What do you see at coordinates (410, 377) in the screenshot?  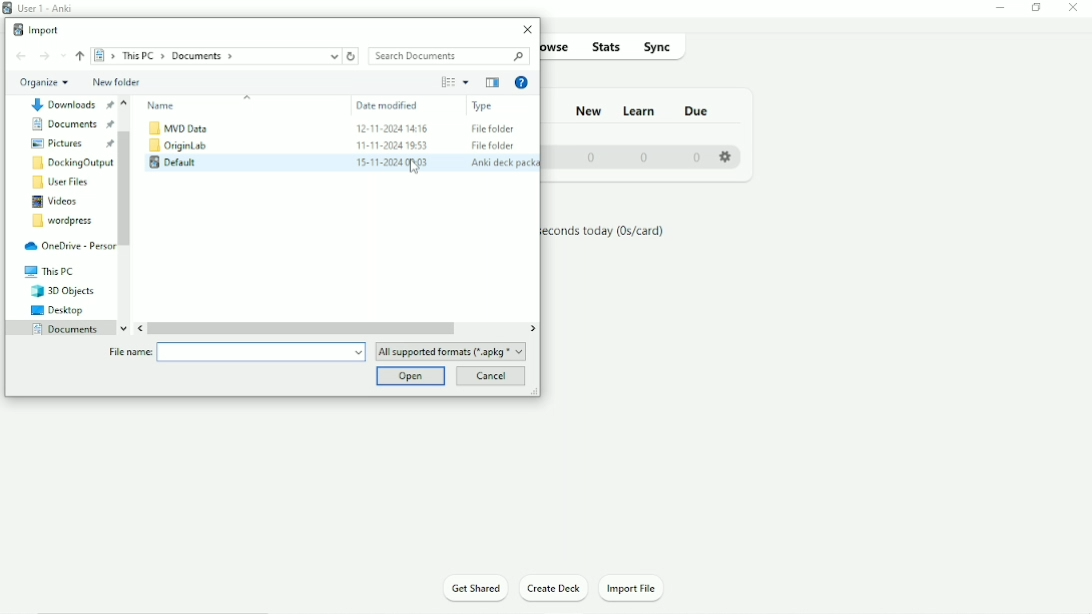 I see `Open` at bounding box center [410, 377].